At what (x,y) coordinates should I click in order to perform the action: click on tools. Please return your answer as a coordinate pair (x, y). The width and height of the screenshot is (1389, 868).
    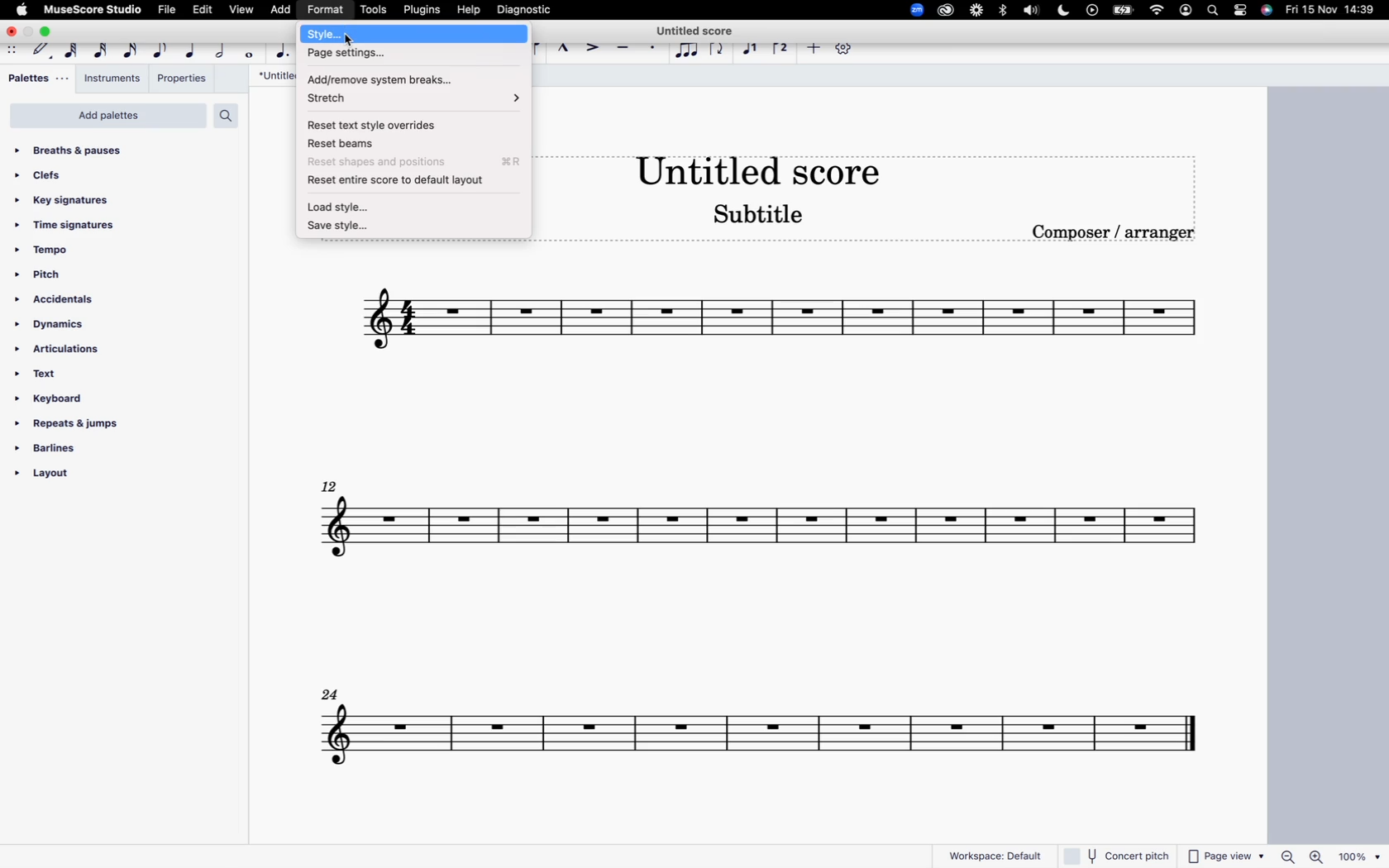
    Looking at the image, I should click on (373, 10).